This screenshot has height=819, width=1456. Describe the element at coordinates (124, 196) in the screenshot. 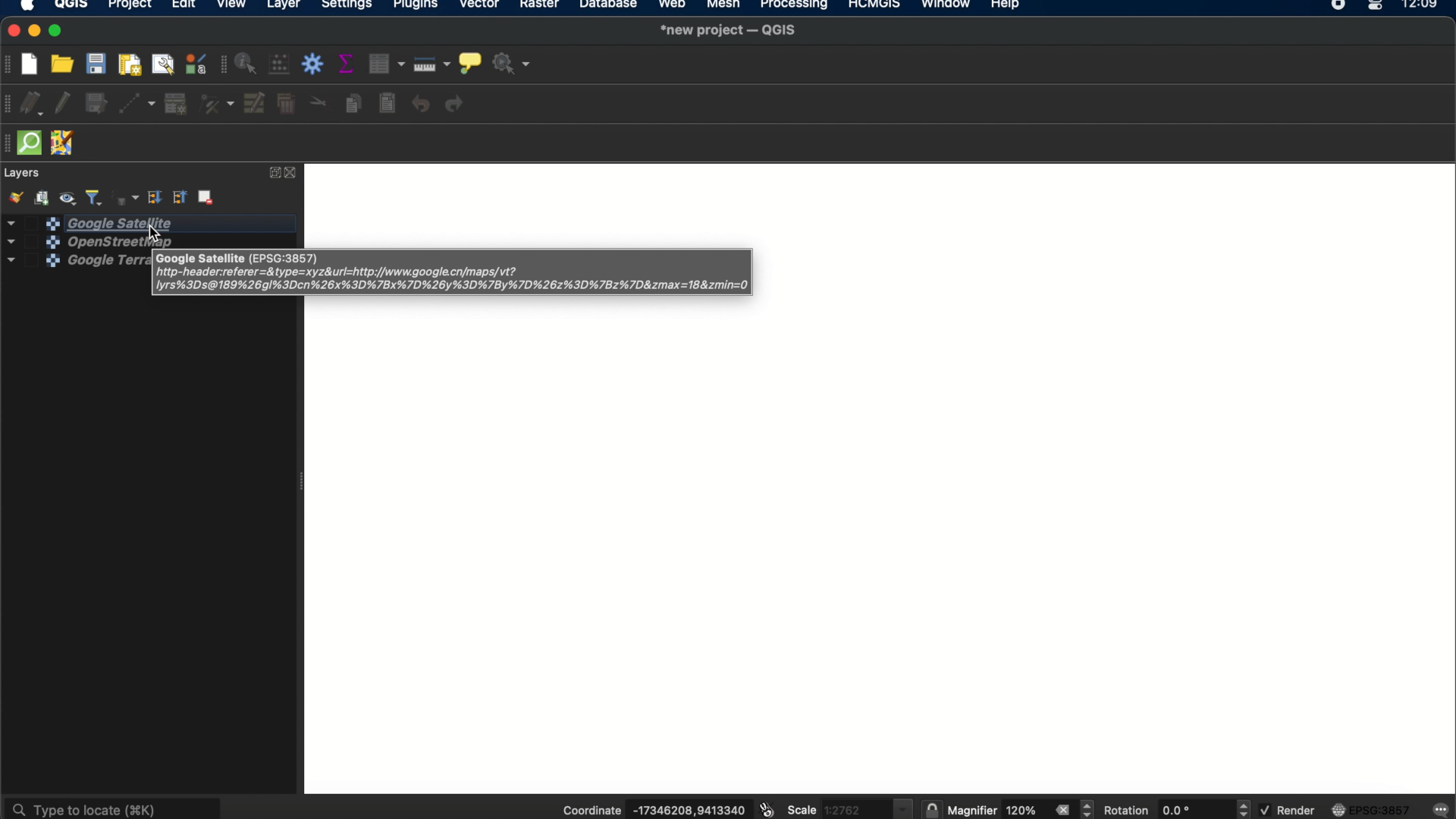

I see `filter legend by expression` at that location.